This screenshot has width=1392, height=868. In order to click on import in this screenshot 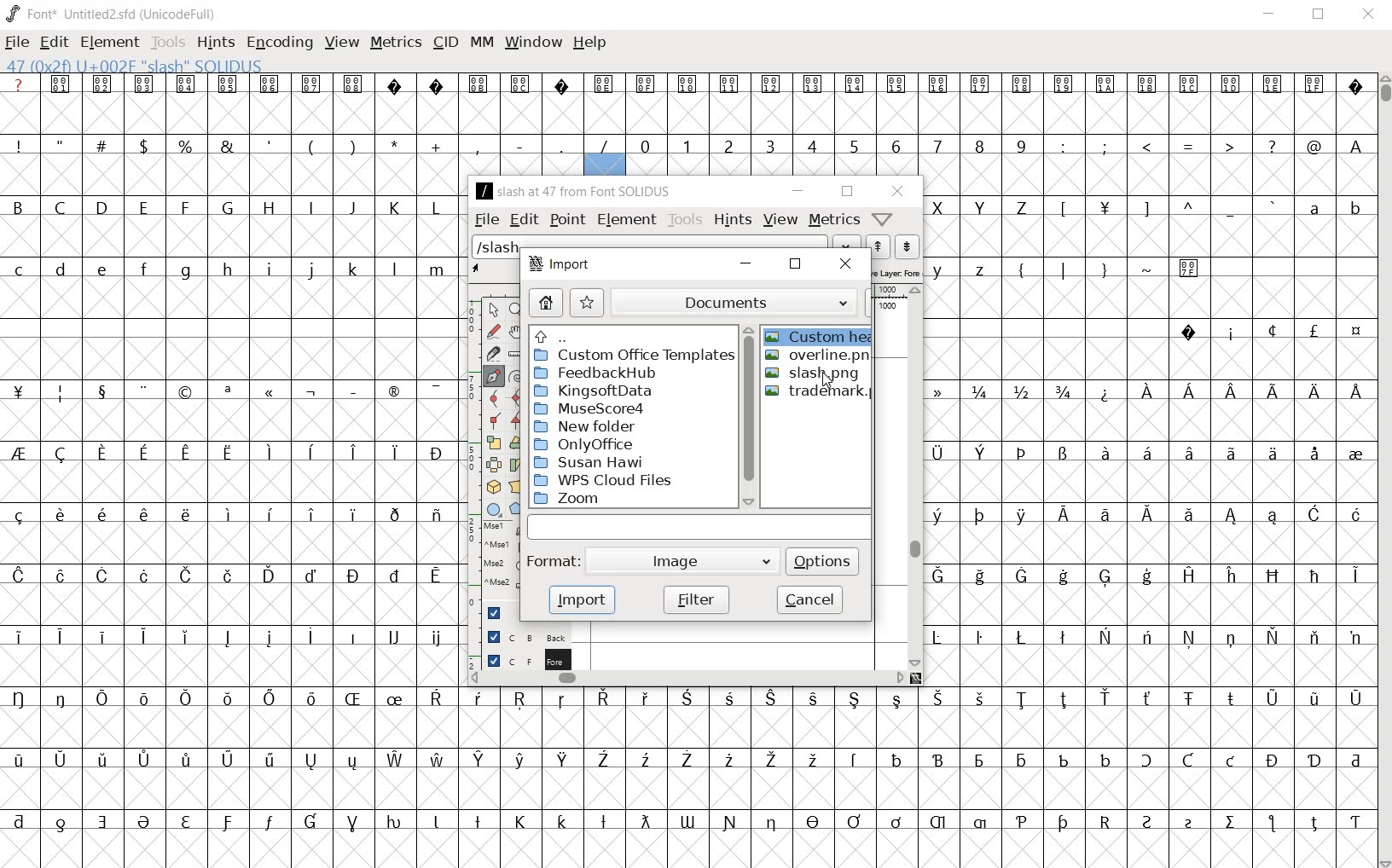, I will do `click(557, 263)`.